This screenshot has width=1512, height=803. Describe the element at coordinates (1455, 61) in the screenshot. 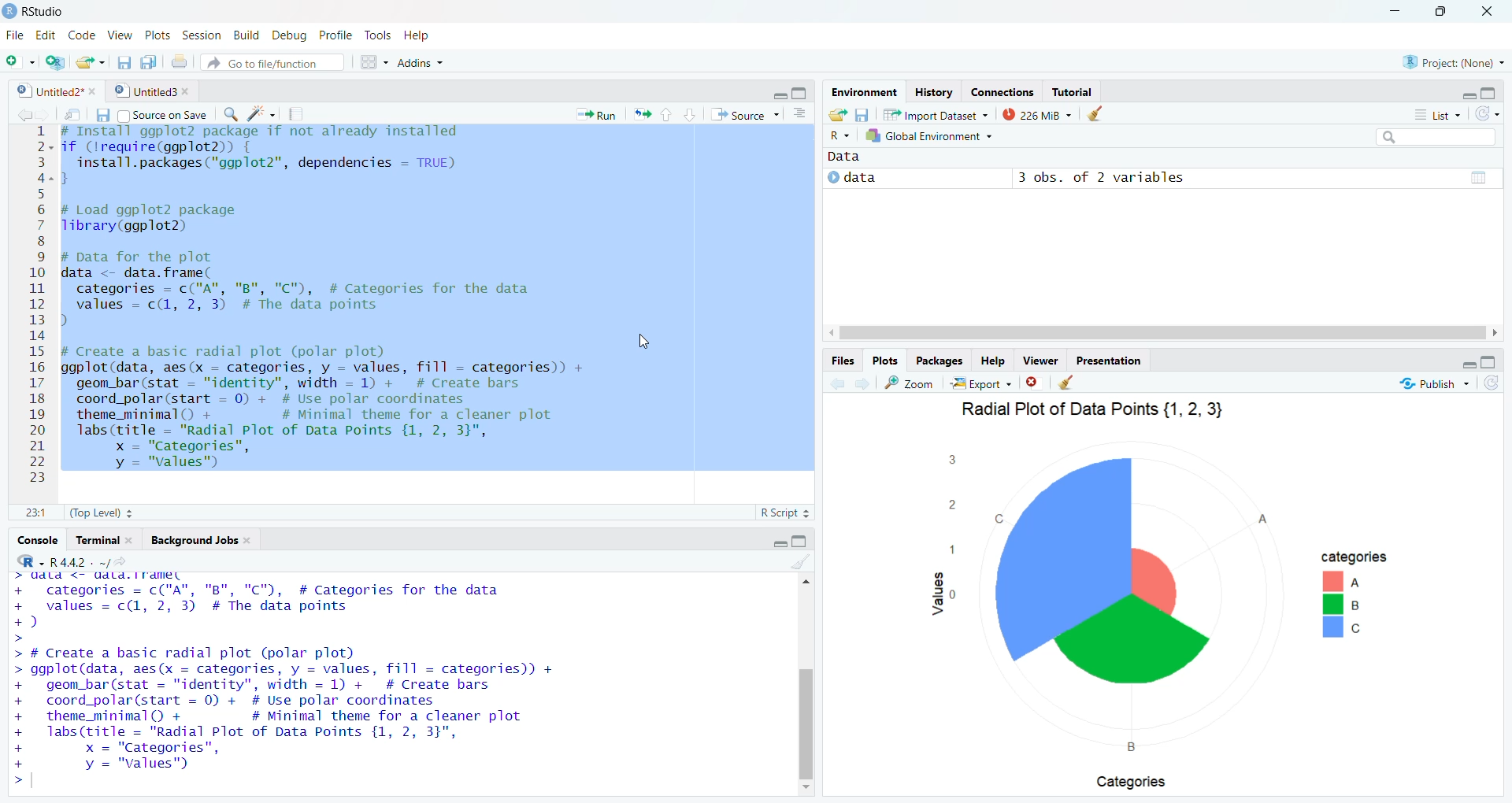

I see `Project: (None) ` at that location.